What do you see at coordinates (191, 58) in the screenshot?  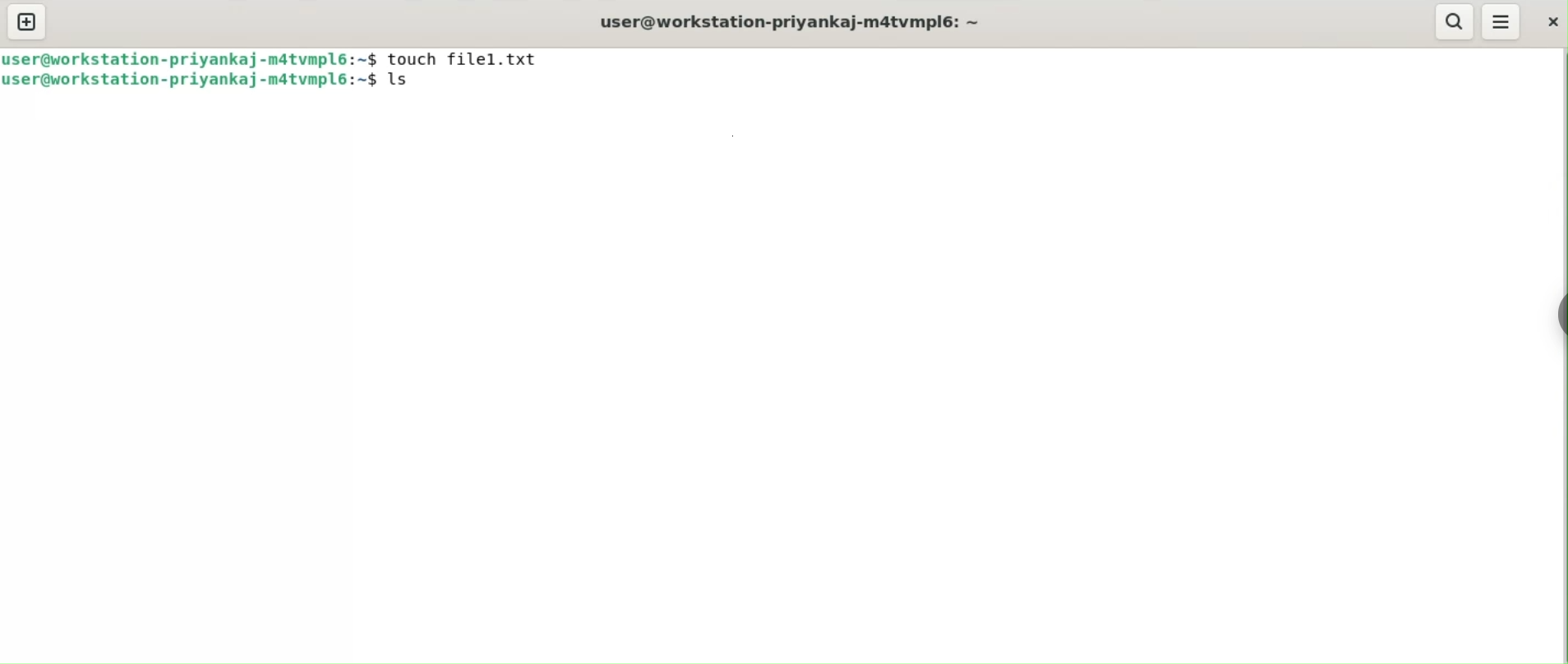 I see `ser@workstation-priyankaj-matvmpl6:~$ | |` at bounding box center [191, 58].